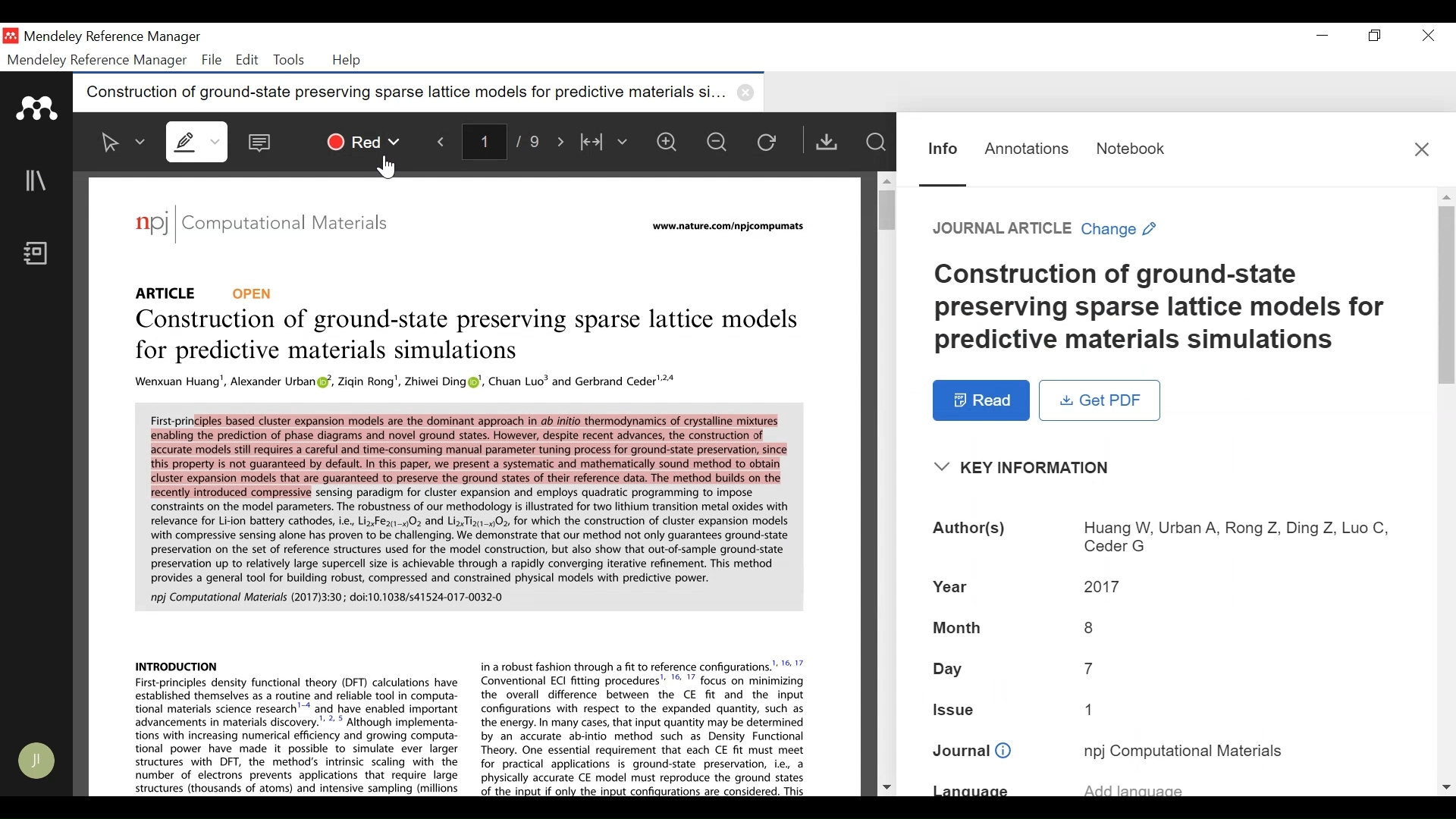  What do you see at coordinates (1445, 196) in the screenshot?
I see `Scroll up` at bounding box center [1445, 196].